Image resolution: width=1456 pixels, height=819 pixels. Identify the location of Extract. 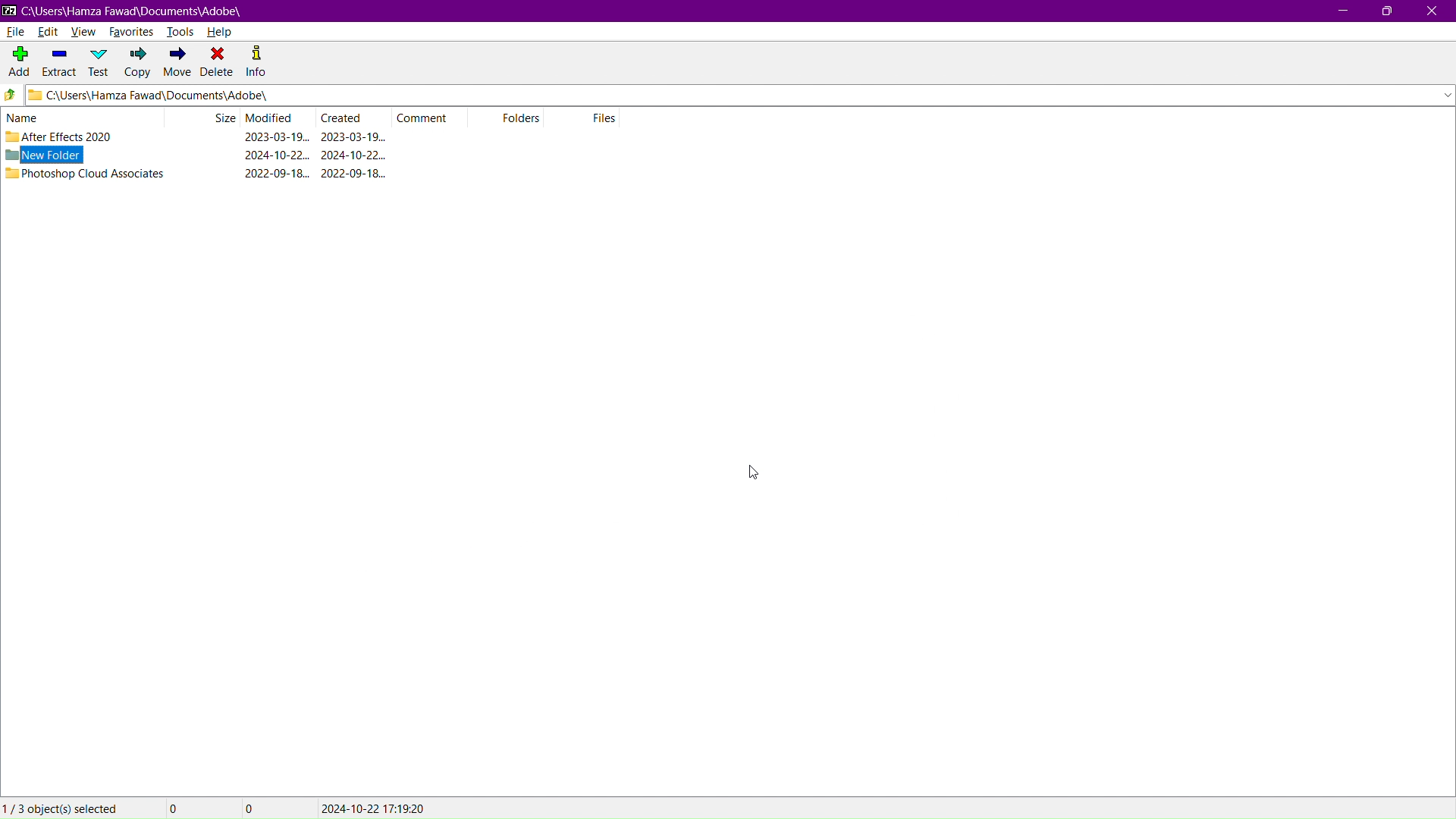
(58, 63).